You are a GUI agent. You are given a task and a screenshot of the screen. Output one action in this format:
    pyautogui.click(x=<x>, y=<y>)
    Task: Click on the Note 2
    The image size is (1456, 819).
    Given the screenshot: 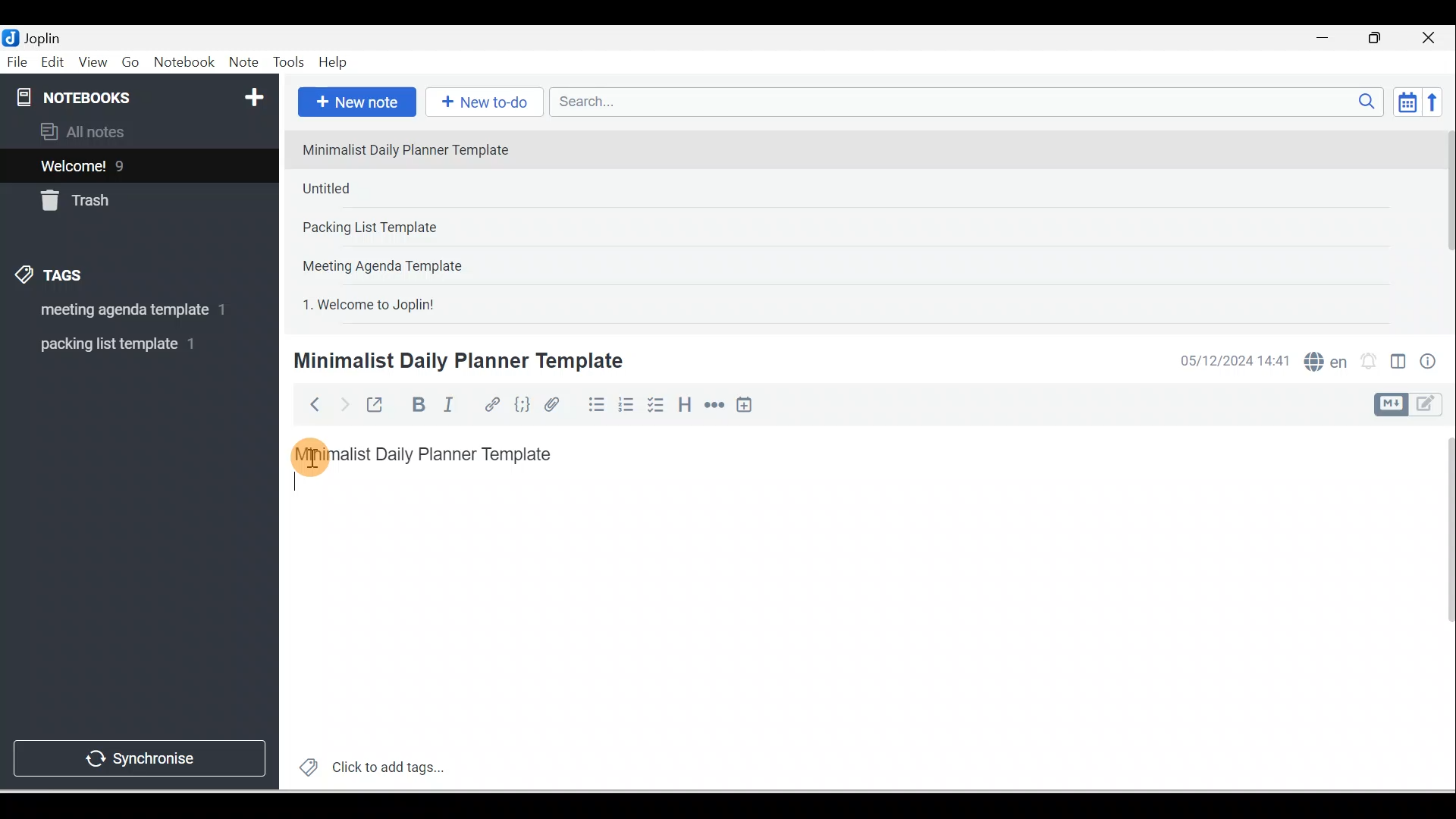 What is the action you would take?
    pyautogui.click(x=401, y=188)
    